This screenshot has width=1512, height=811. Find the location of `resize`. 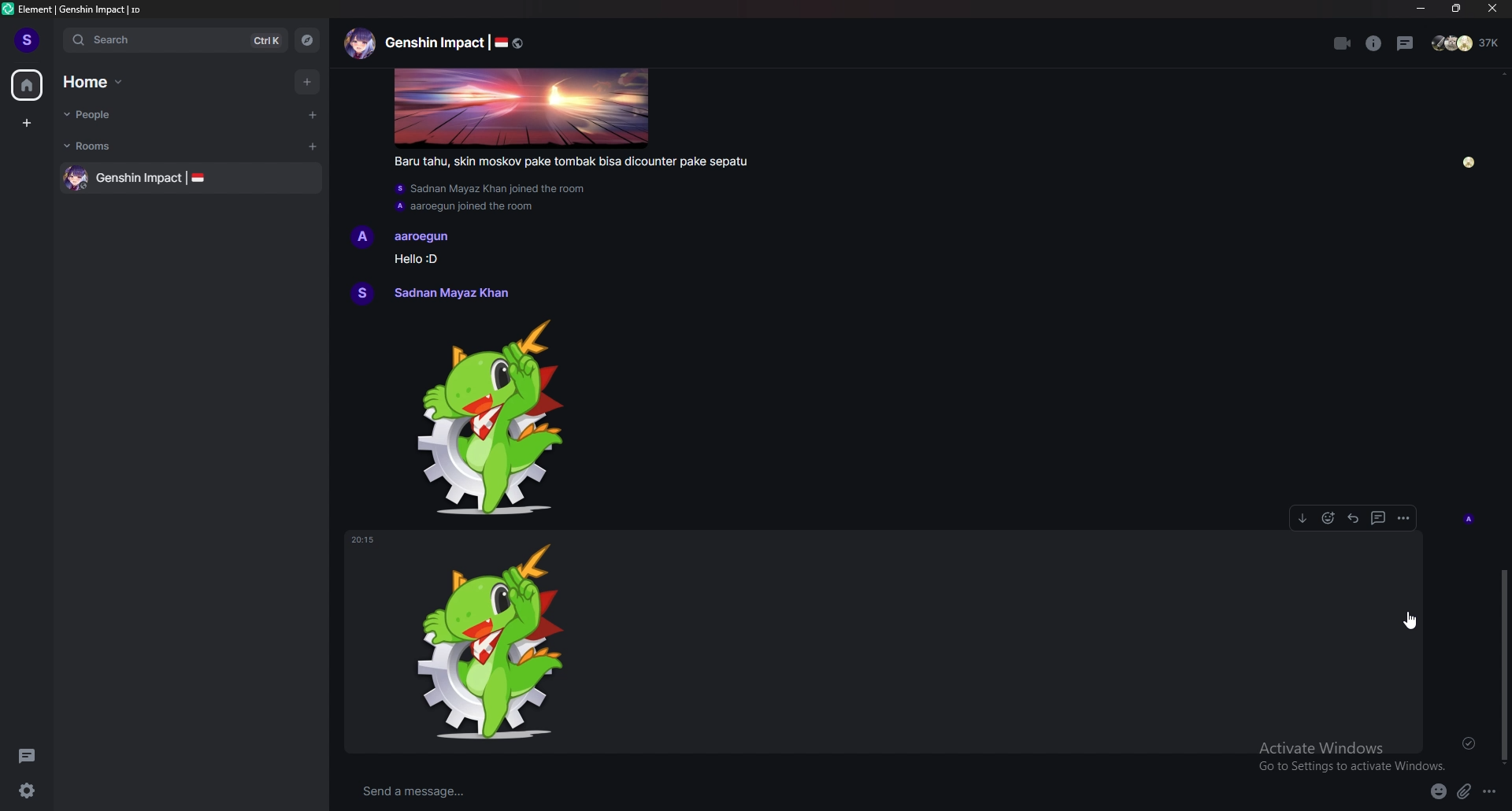

resize is located at coordinates (1456, 9).